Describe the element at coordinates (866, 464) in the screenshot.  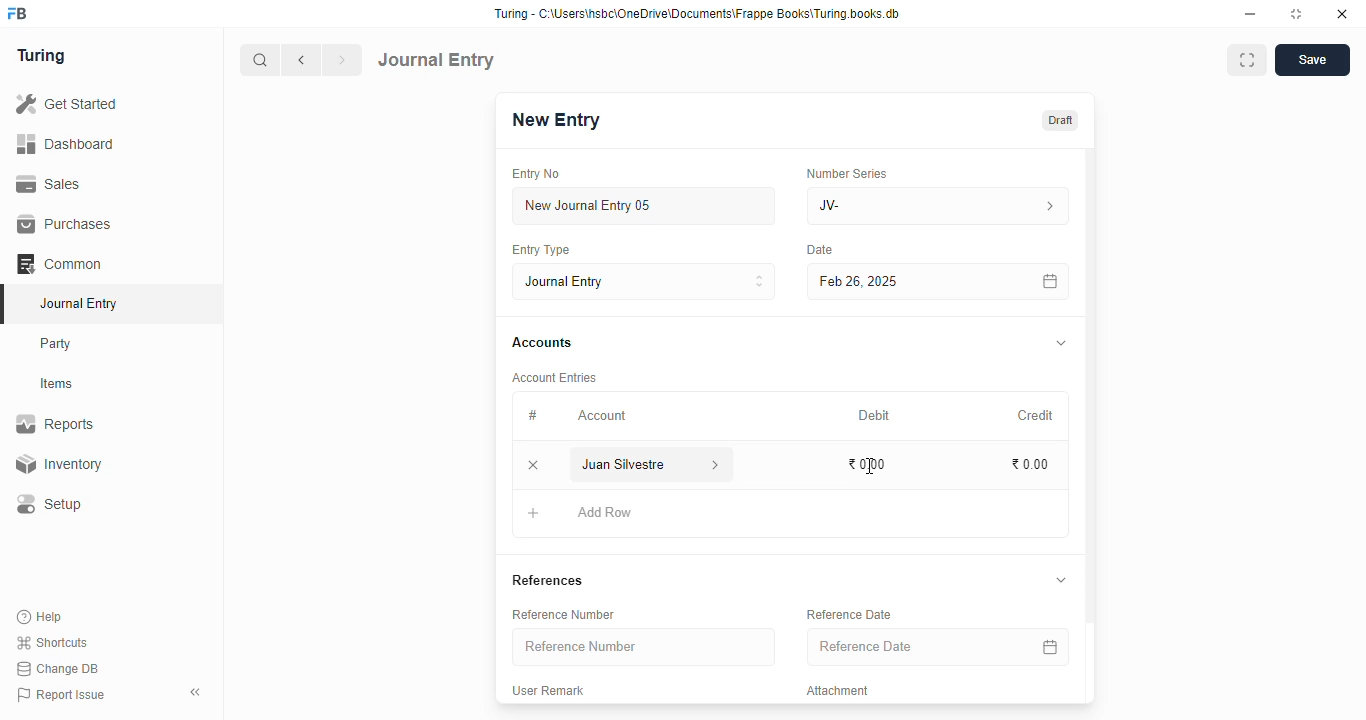
I see `₹0.00` at that location.